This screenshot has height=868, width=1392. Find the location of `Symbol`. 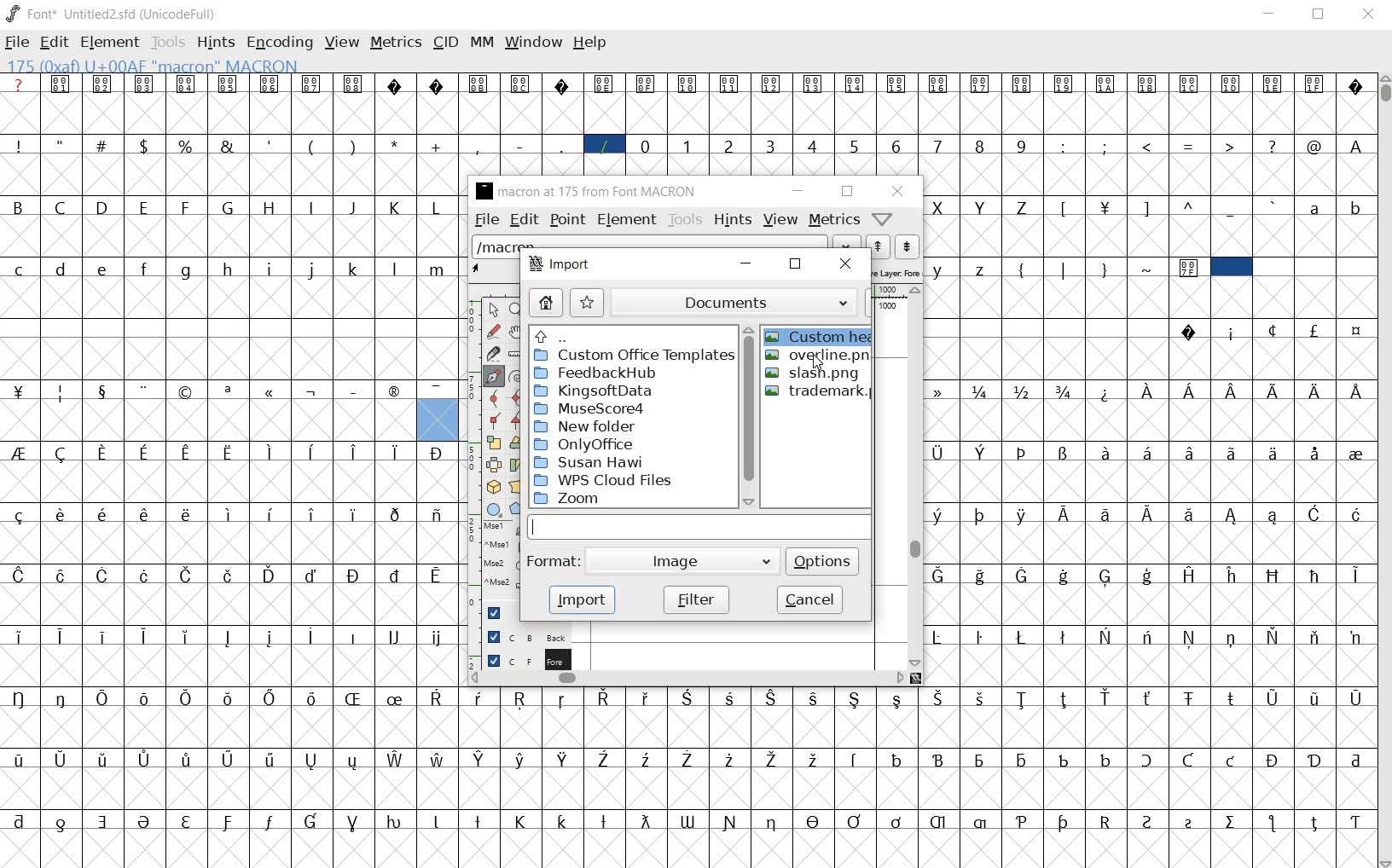

Symbol is located at coordinates (731, 823).